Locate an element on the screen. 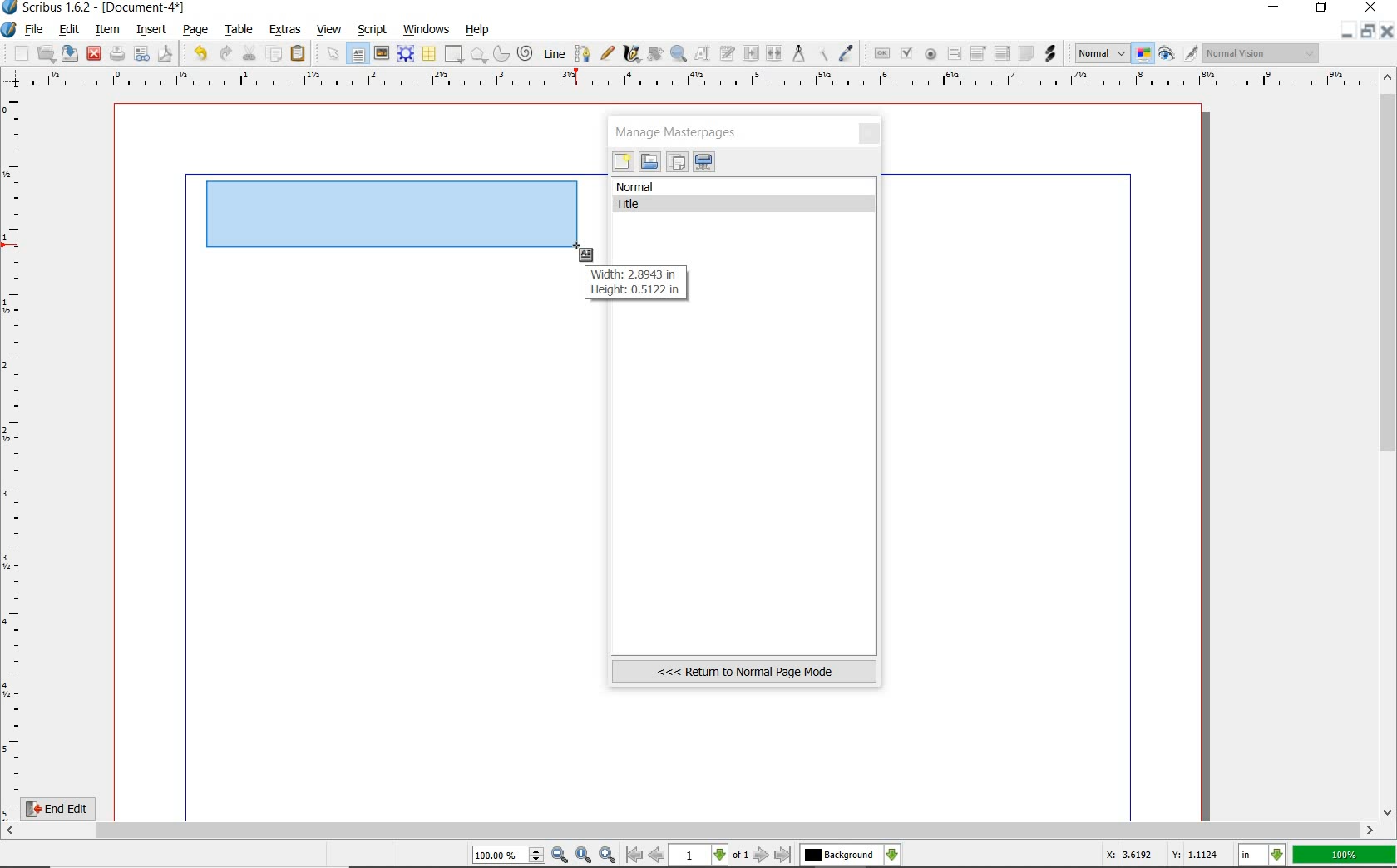 The image size is (1397, 868). pdf radio button is located at coordinates (930, 54).